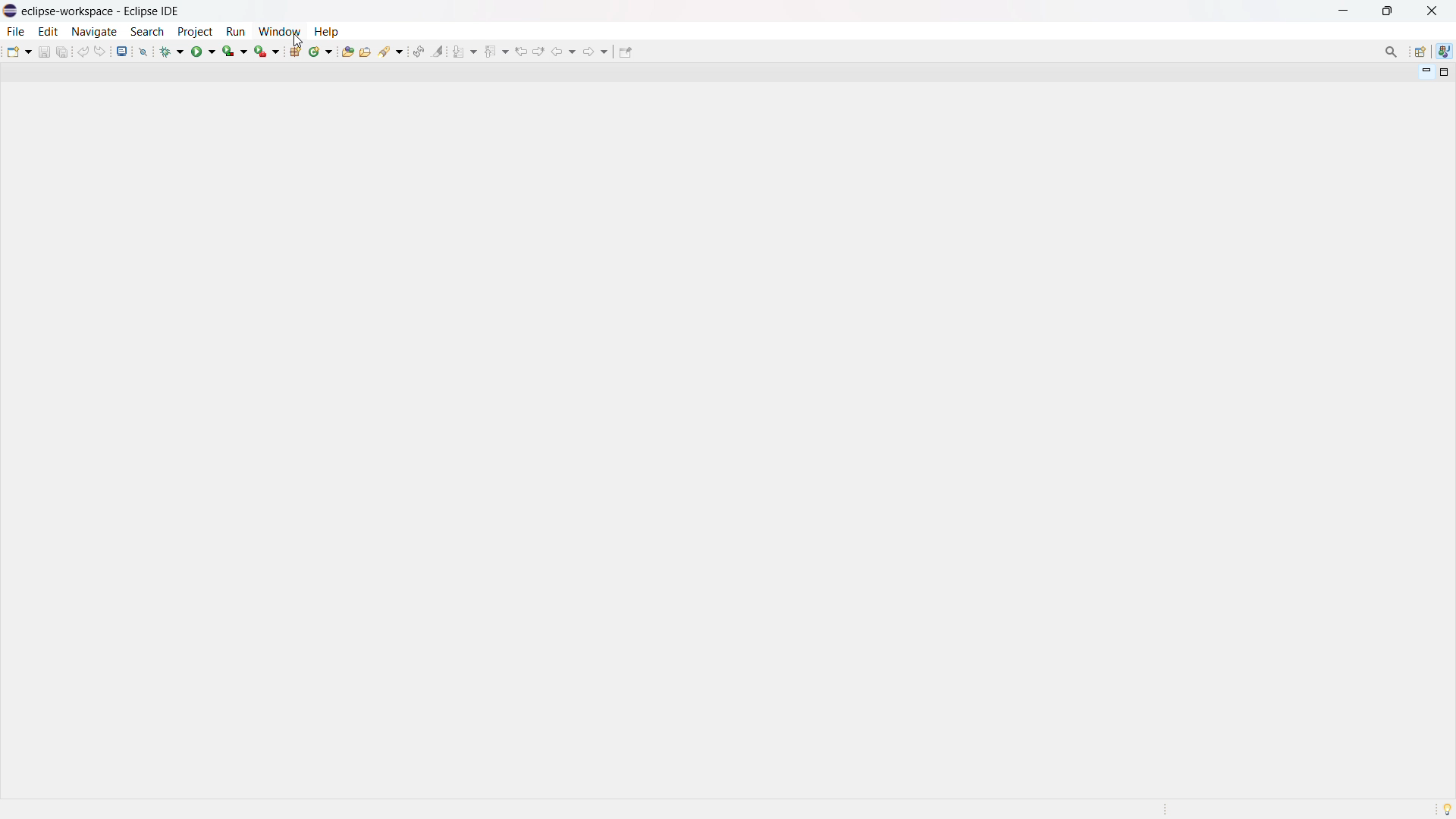  Describe the element at coordinates (1445, 52) in the screenshot. I see `java` at that location.